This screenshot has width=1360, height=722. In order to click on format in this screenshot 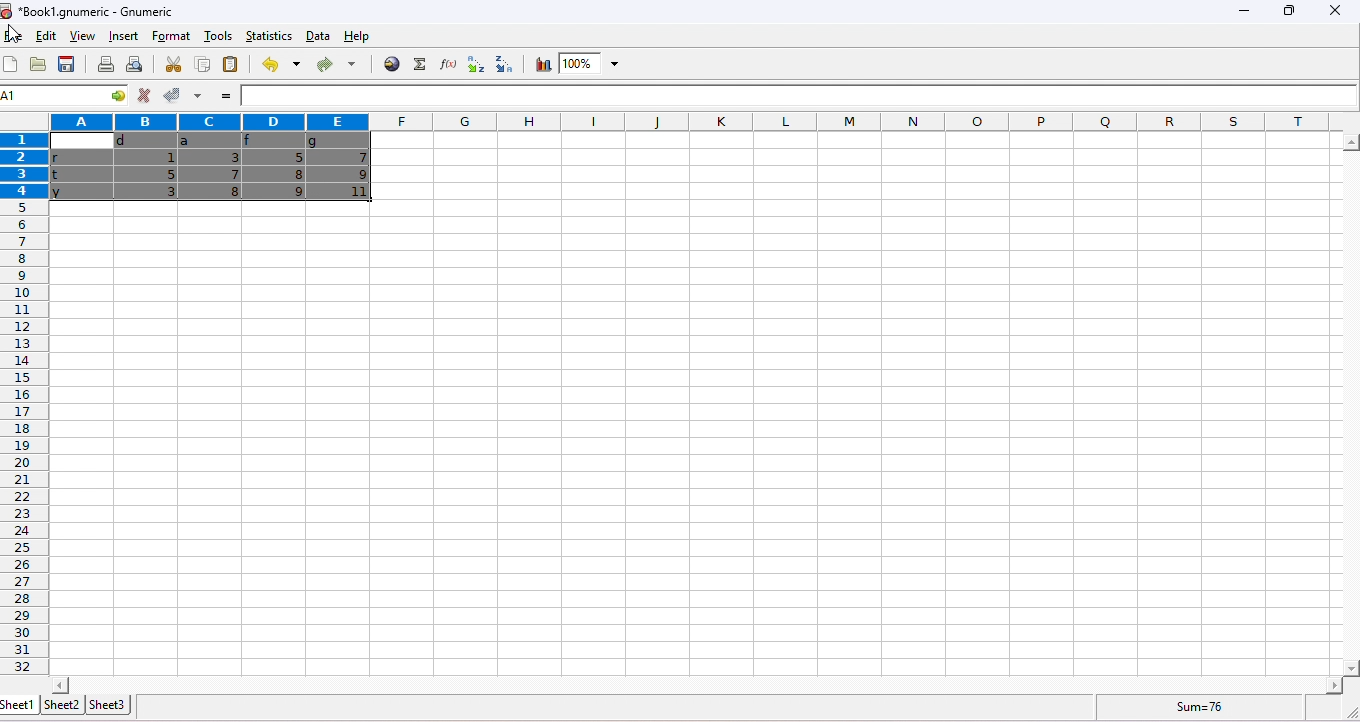, I will do `click(173, 35)`.